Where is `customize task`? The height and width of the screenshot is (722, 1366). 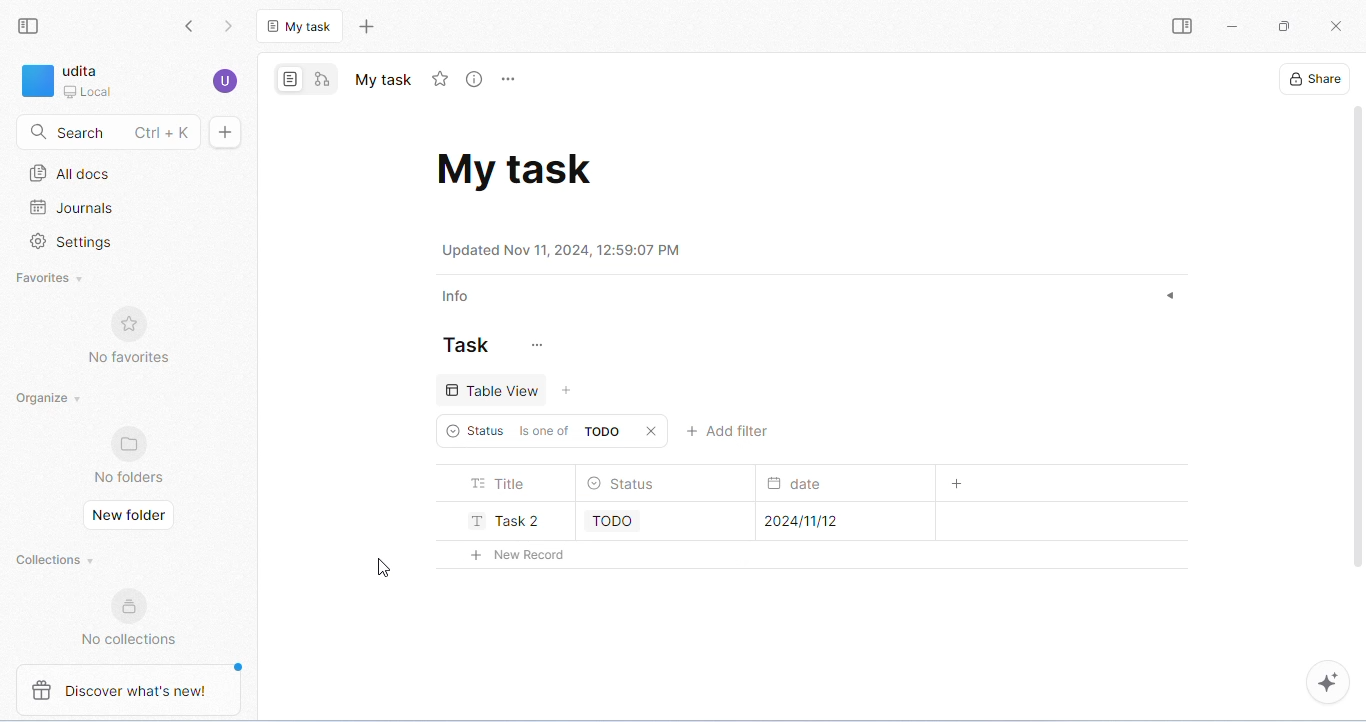 customize task is located at coordinates (534, 346).